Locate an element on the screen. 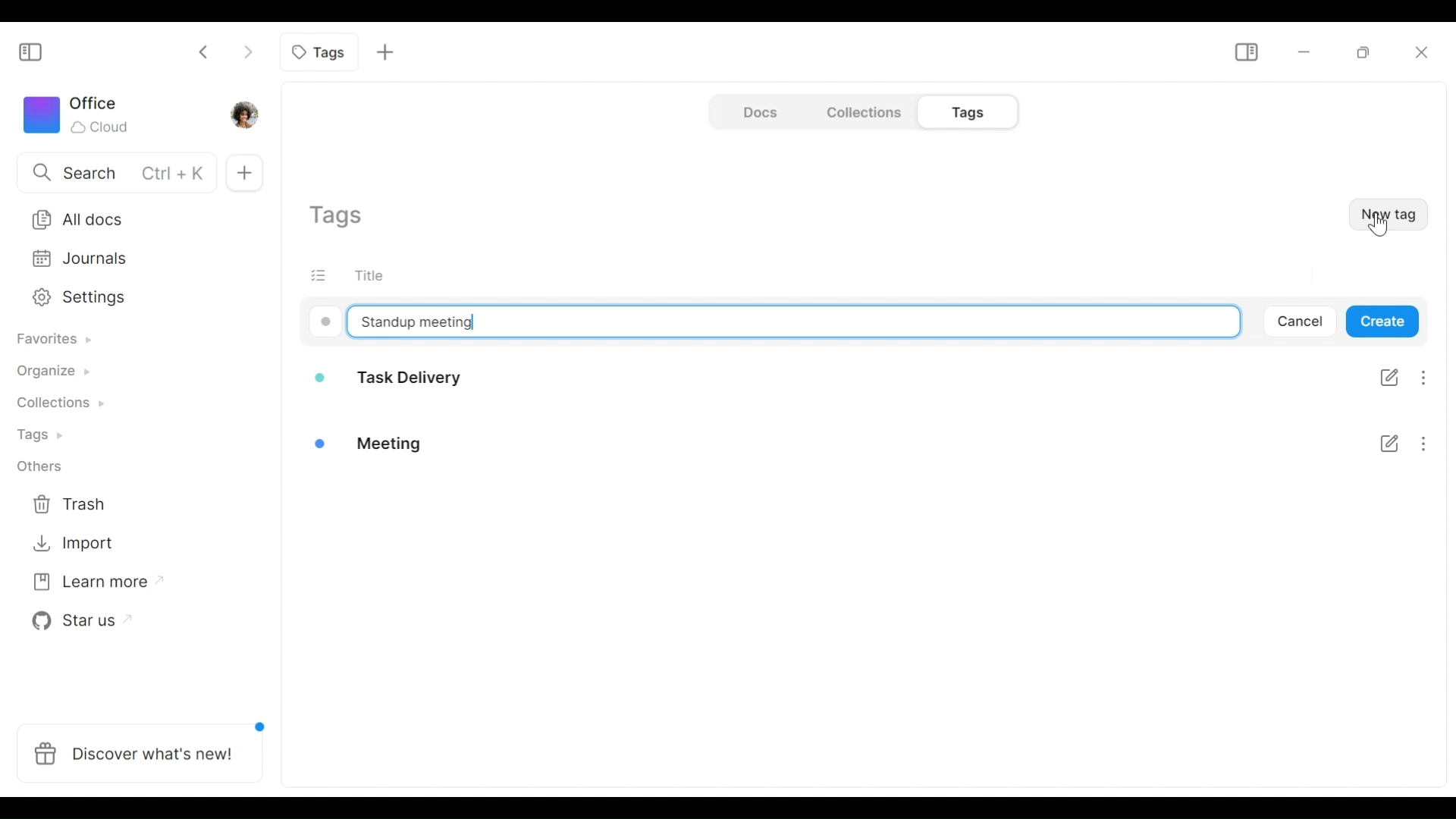  Minimize is located at coordinates (1304, 53).